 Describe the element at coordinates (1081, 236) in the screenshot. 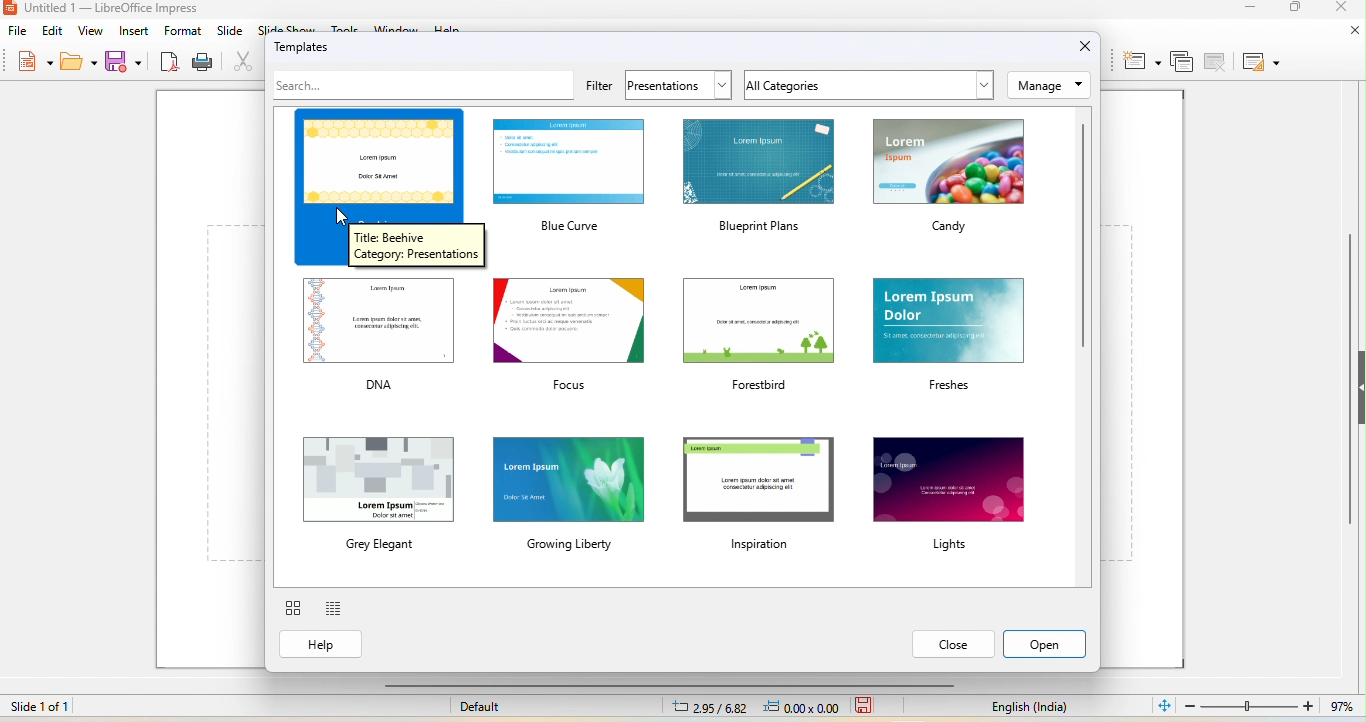

I see `vertical scroll bar` at that location.